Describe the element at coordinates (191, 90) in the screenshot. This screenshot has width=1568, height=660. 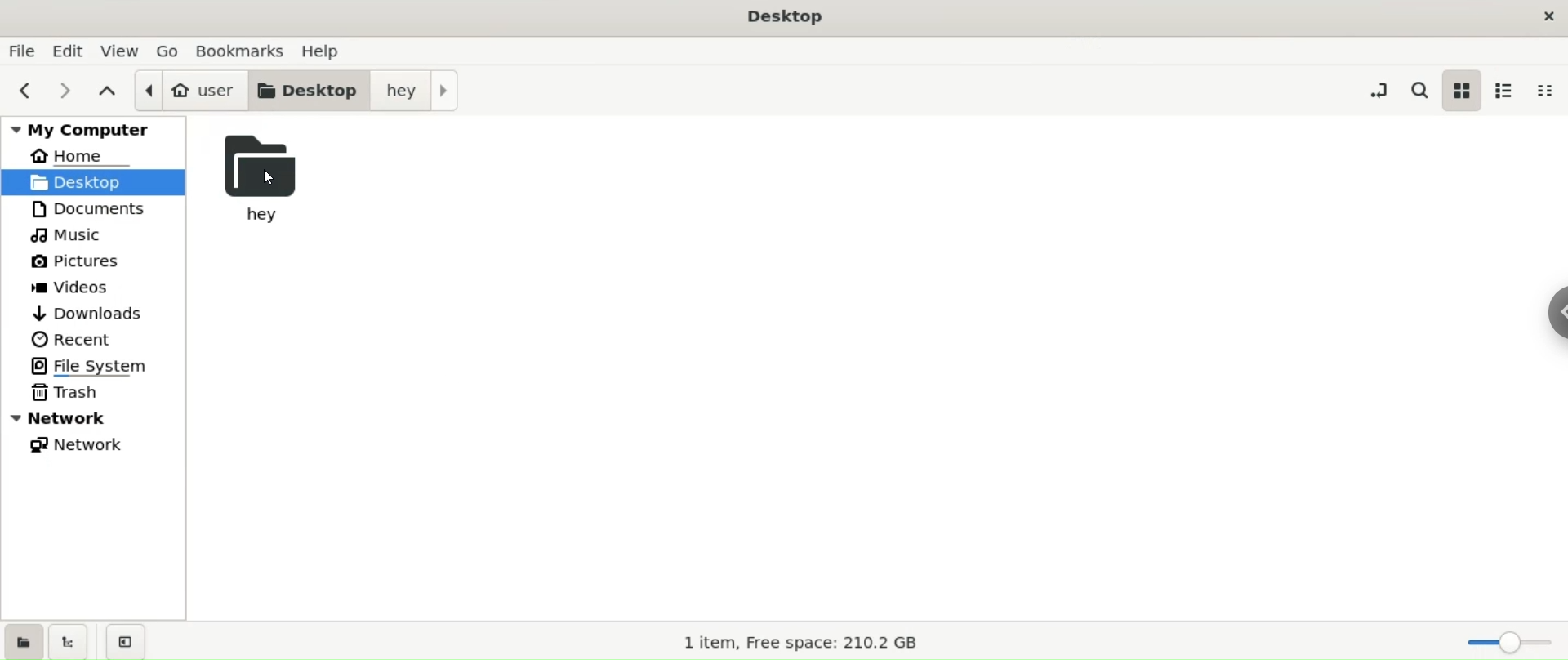
I see `user` at that location.